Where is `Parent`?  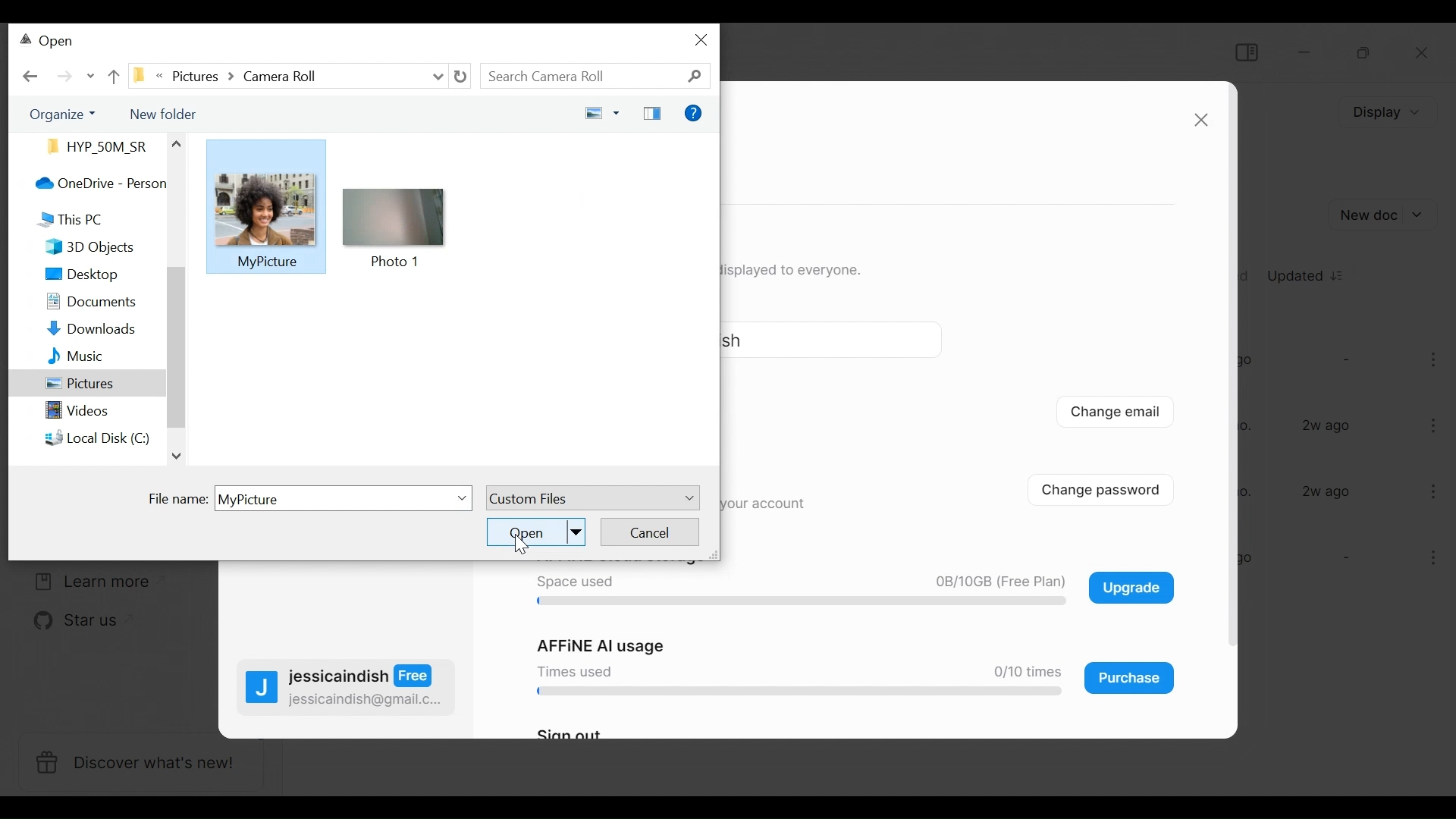
Parent is located at coordinates (112, 75).